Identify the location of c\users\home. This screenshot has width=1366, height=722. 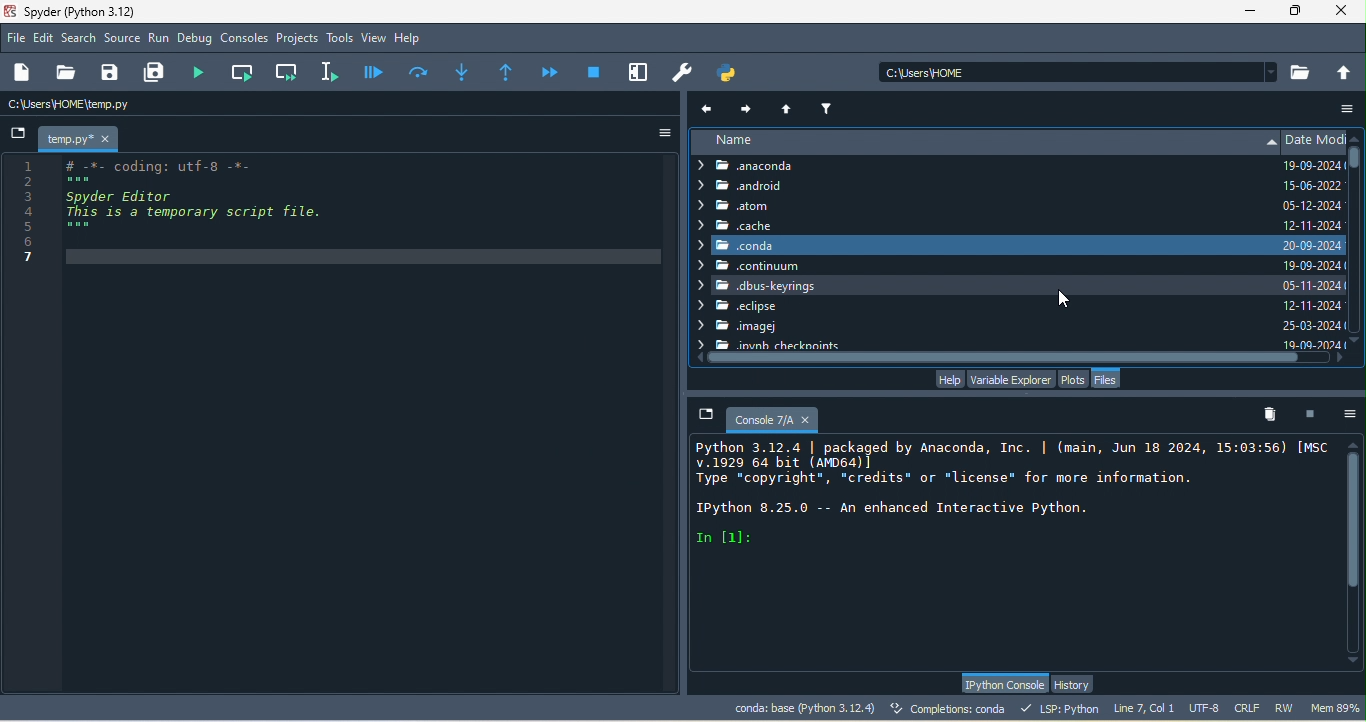
(1078, 71).